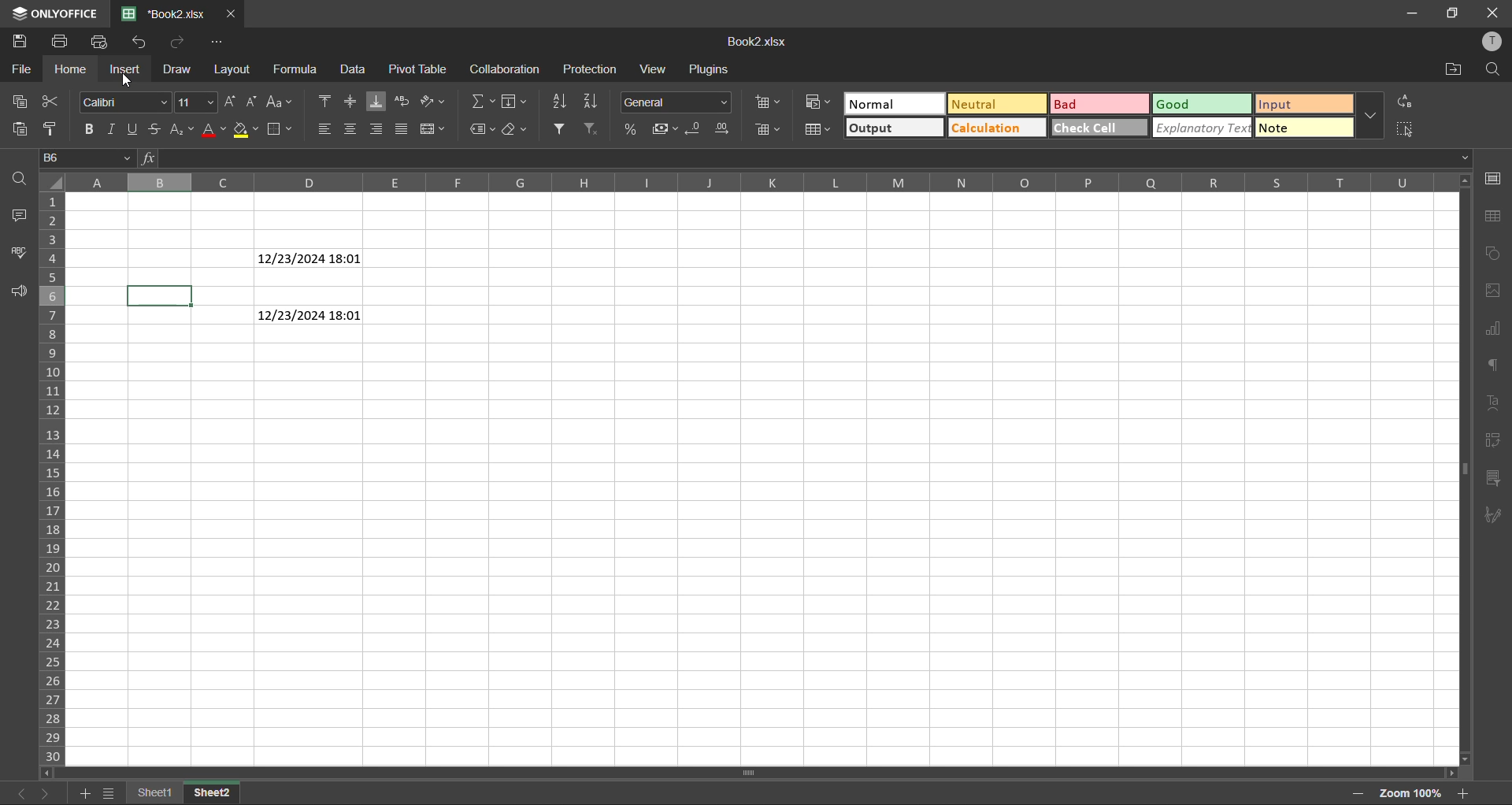 This screenshot has height=805, width=1512. Describe the element at coordinates (23, 291) in the screenshot. I see `feedback` at that location.